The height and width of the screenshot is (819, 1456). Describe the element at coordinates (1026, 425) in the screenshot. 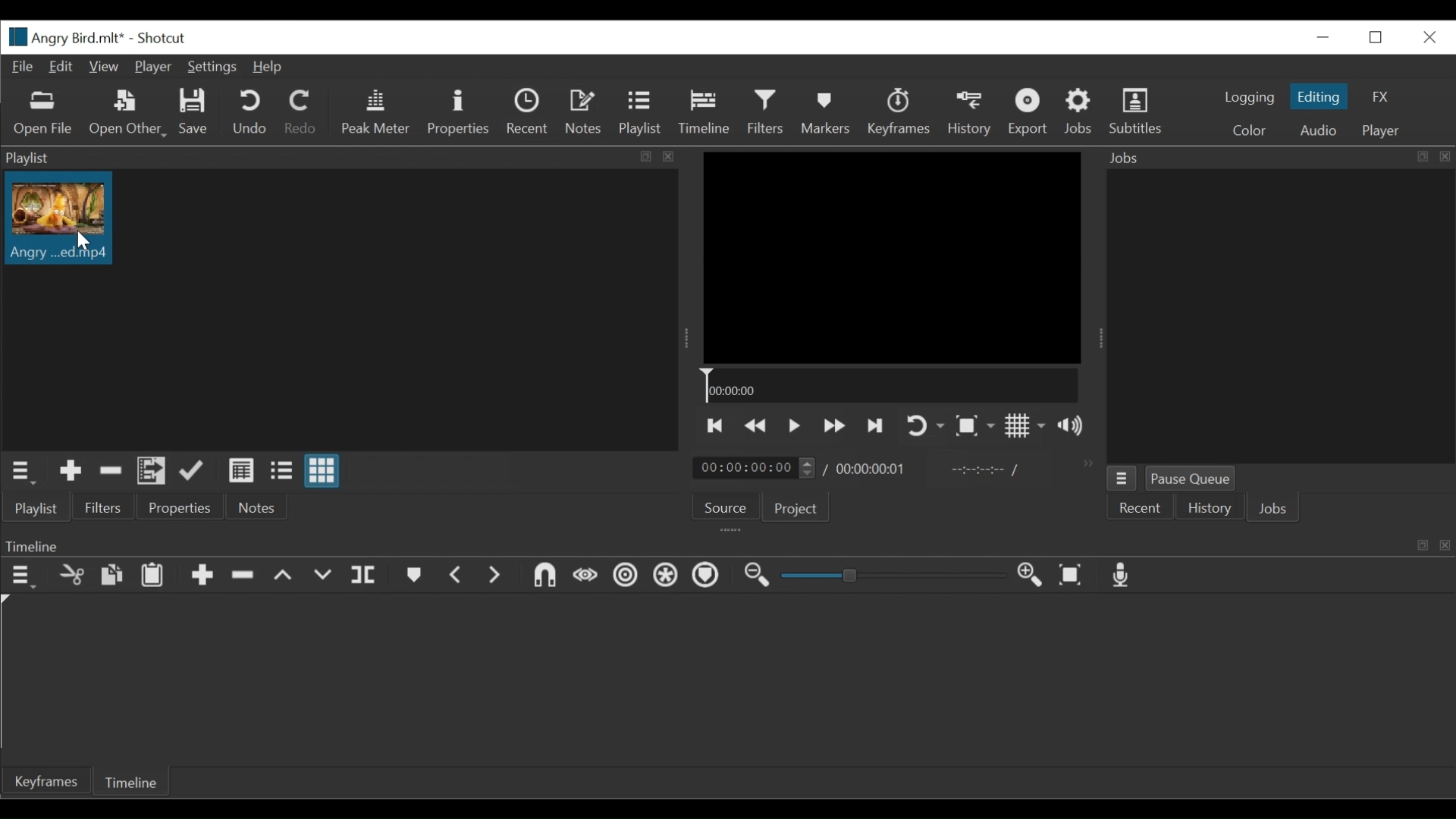

I see `Toggle display grid on player` at that location.